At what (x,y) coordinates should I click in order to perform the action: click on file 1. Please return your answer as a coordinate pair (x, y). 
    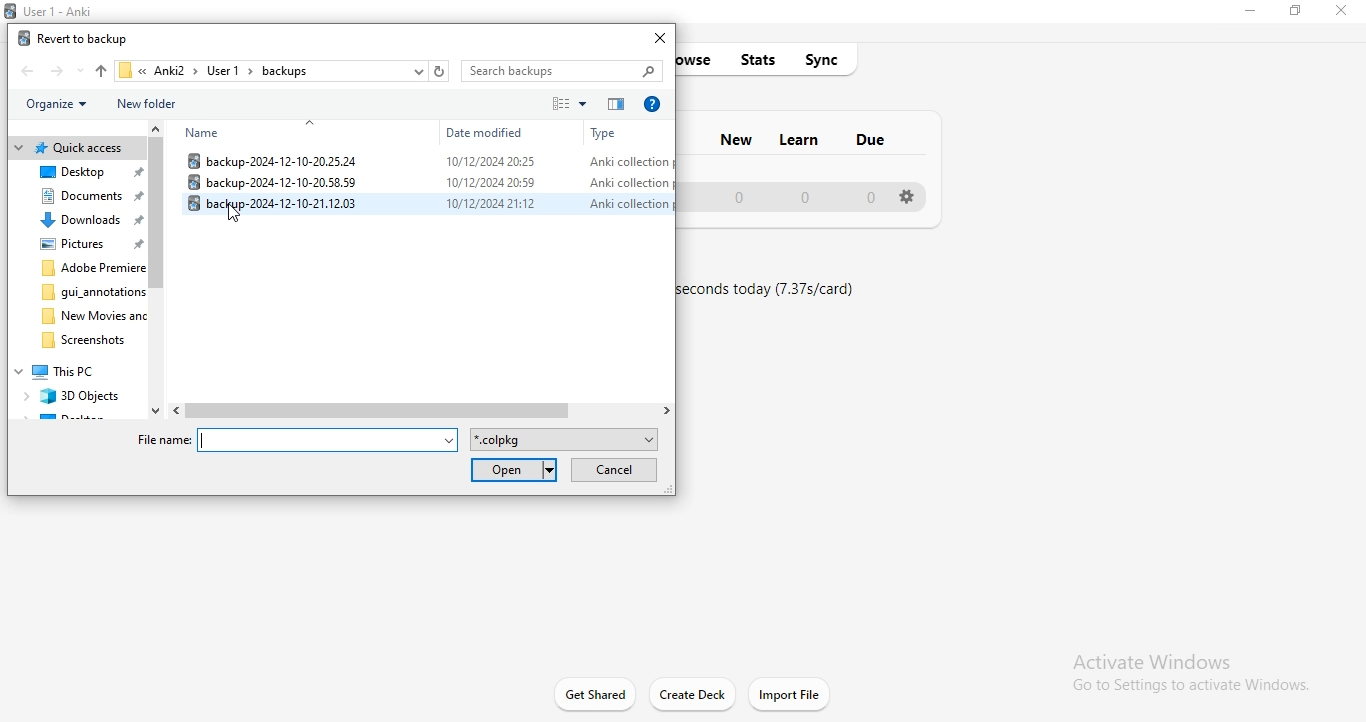
    Looking at the image, I should click on (424, 160).